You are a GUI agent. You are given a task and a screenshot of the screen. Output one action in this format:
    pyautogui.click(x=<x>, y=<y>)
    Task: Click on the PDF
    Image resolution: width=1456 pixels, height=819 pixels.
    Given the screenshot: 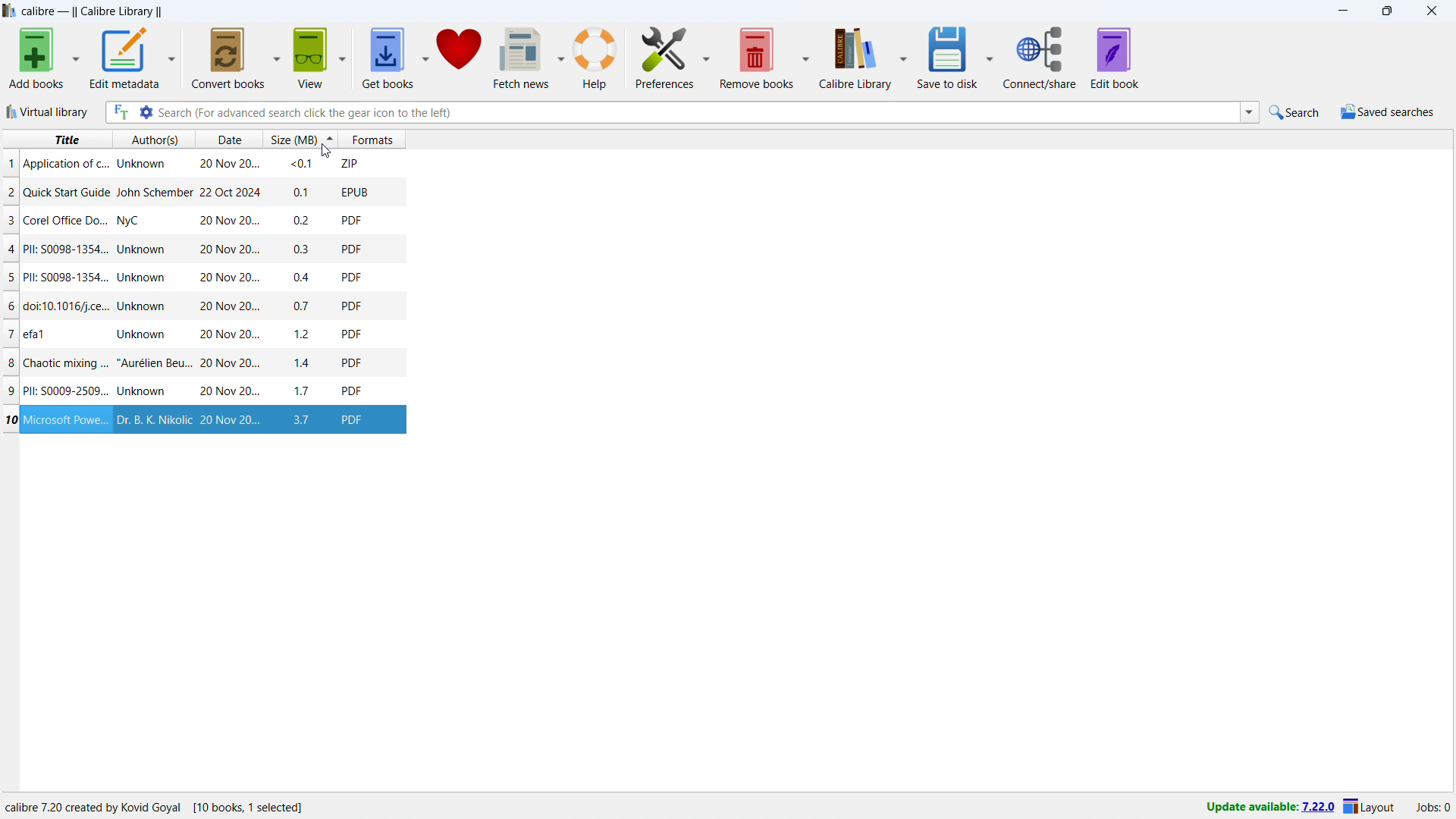 What is the action you would take?
    pyautogui.click(x=352, y=332)
    